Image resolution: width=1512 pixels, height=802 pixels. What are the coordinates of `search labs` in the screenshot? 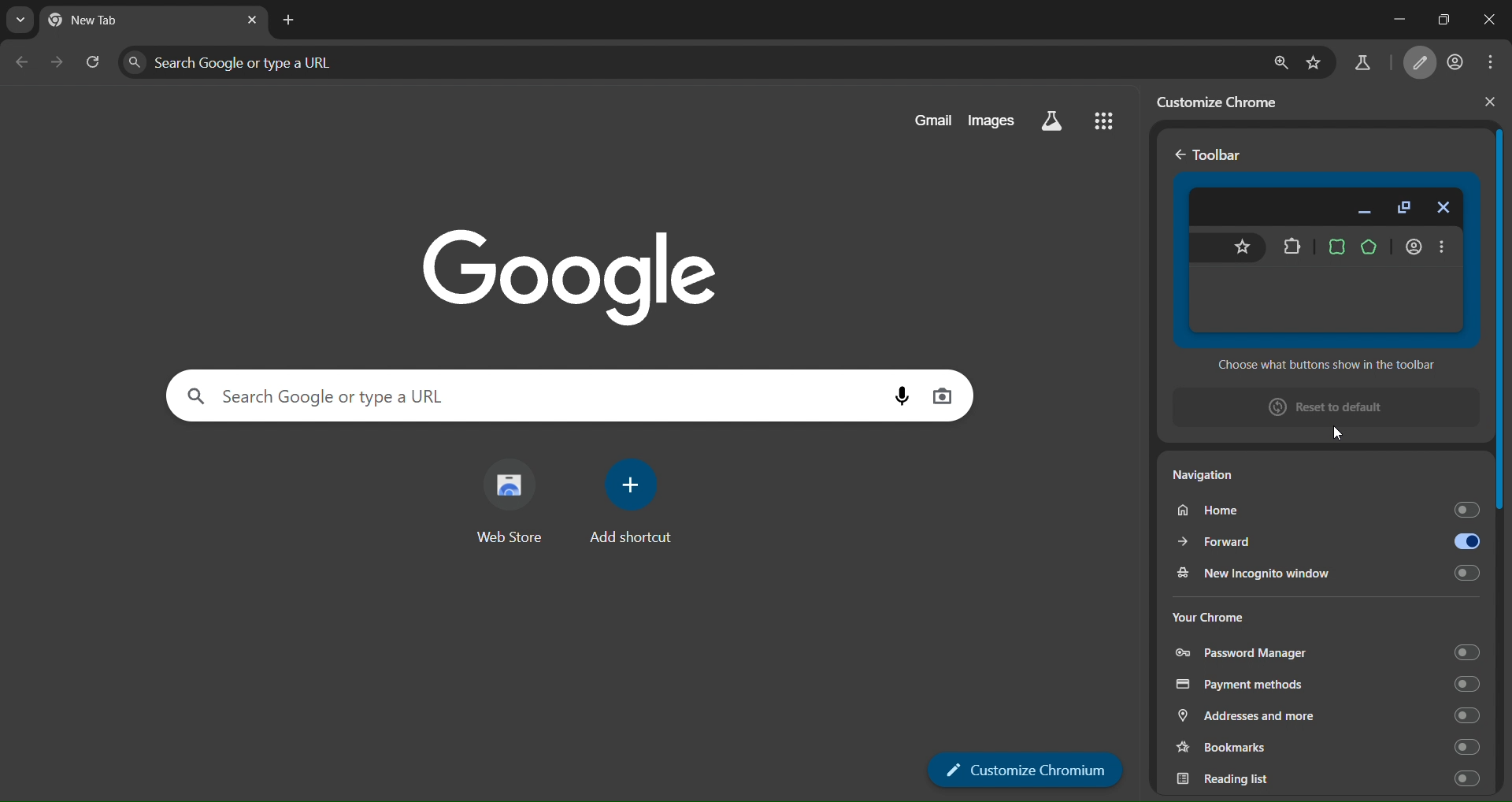 It's located at (1051, 122).